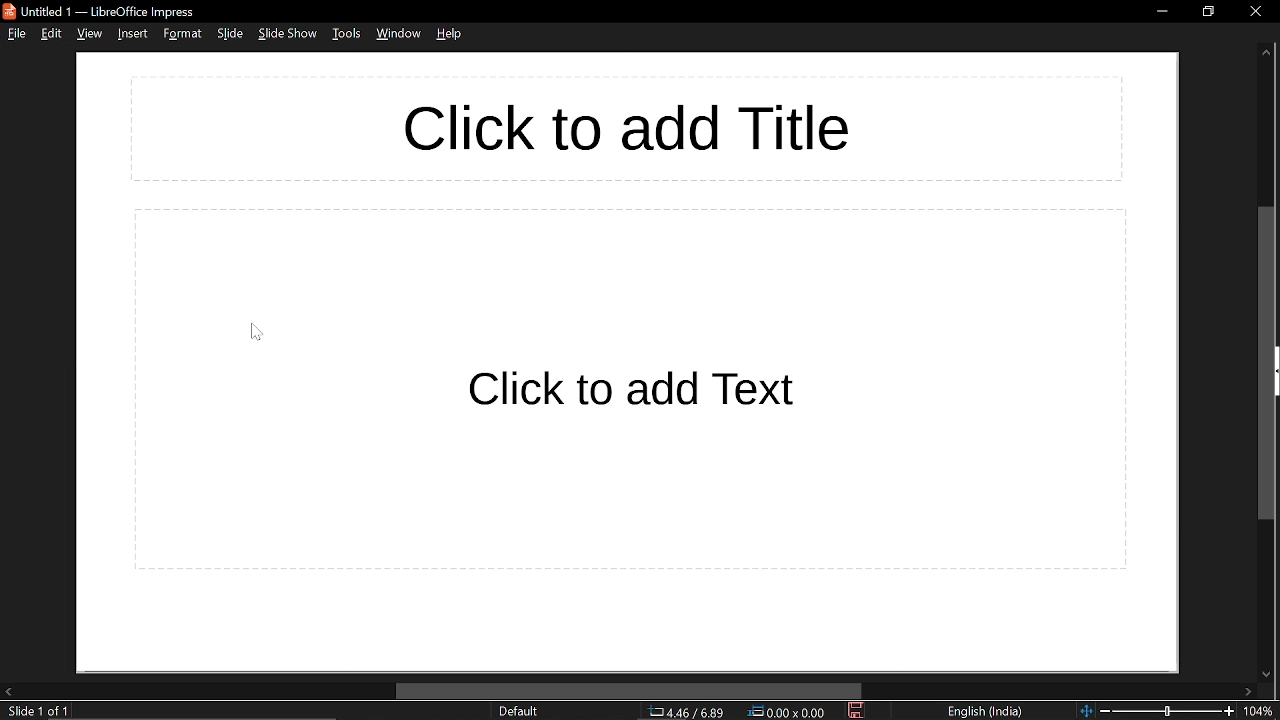 This screenshot has height=720, width=1280. I want to click on current zoom, so click(1262, 711).